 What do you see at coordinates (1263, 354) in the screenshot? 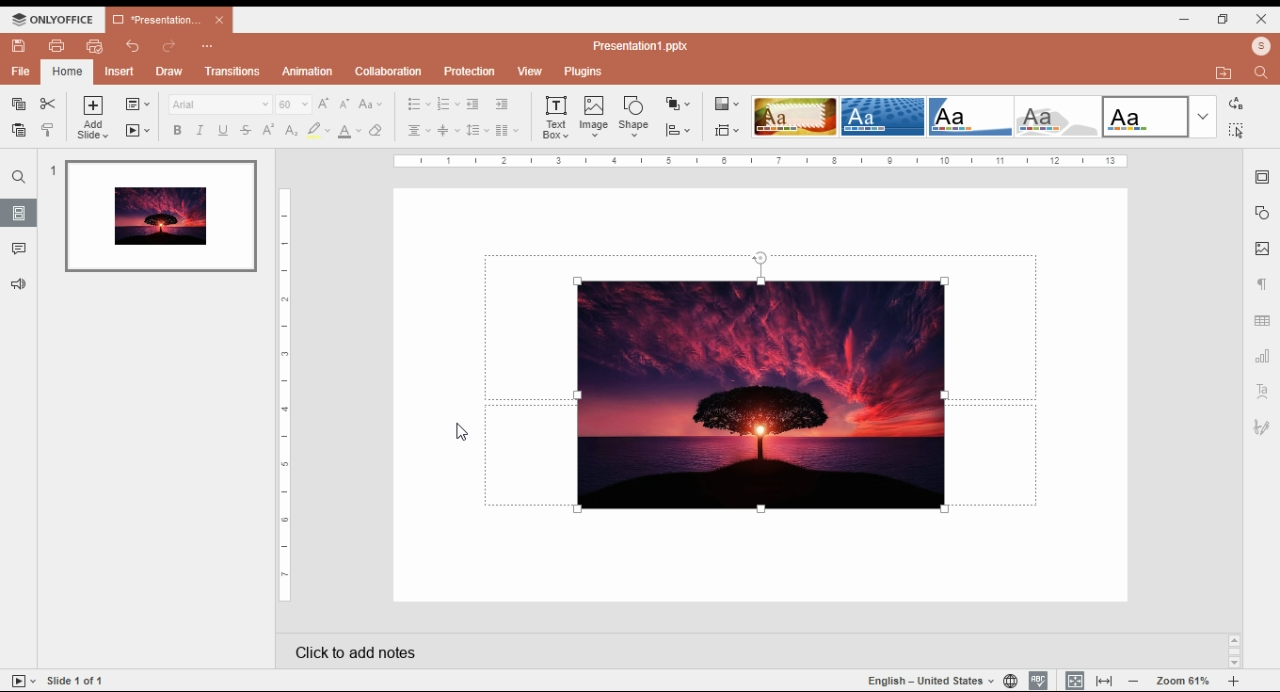
I see `charts  settings` at bounding box center [1263, 354].